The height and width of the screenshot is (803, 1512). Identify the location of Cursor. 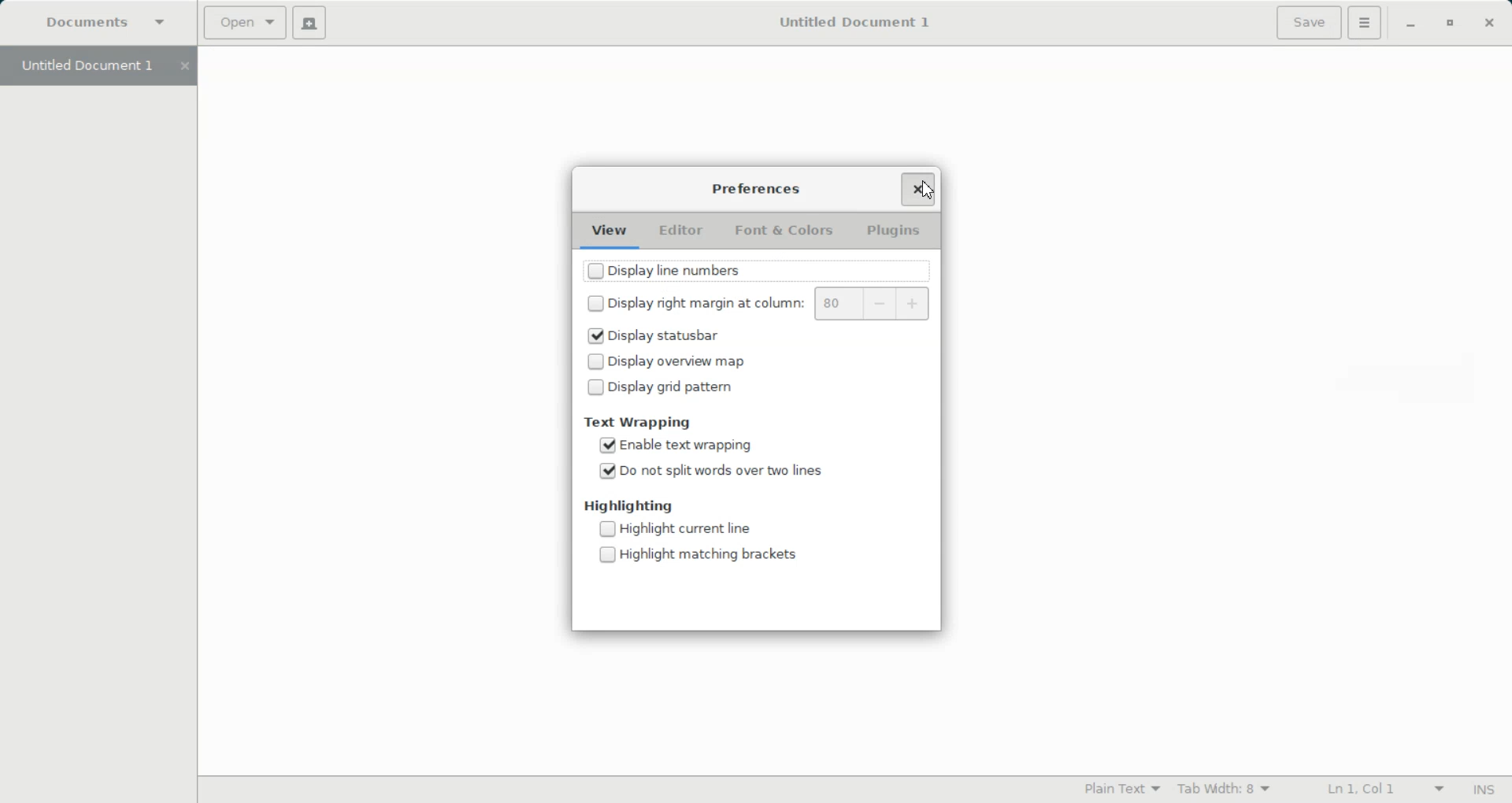
(925, 191).